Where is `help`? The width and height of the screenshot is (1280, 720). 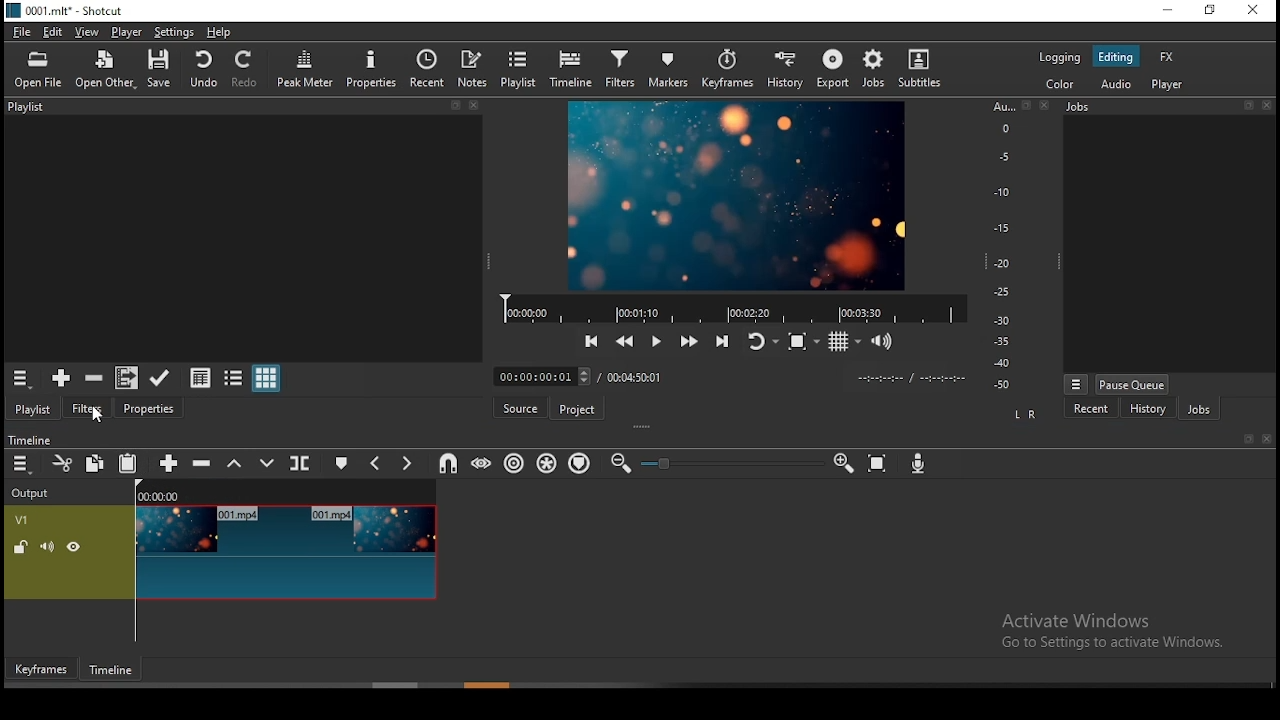
help is located at coordinates (224, 32).